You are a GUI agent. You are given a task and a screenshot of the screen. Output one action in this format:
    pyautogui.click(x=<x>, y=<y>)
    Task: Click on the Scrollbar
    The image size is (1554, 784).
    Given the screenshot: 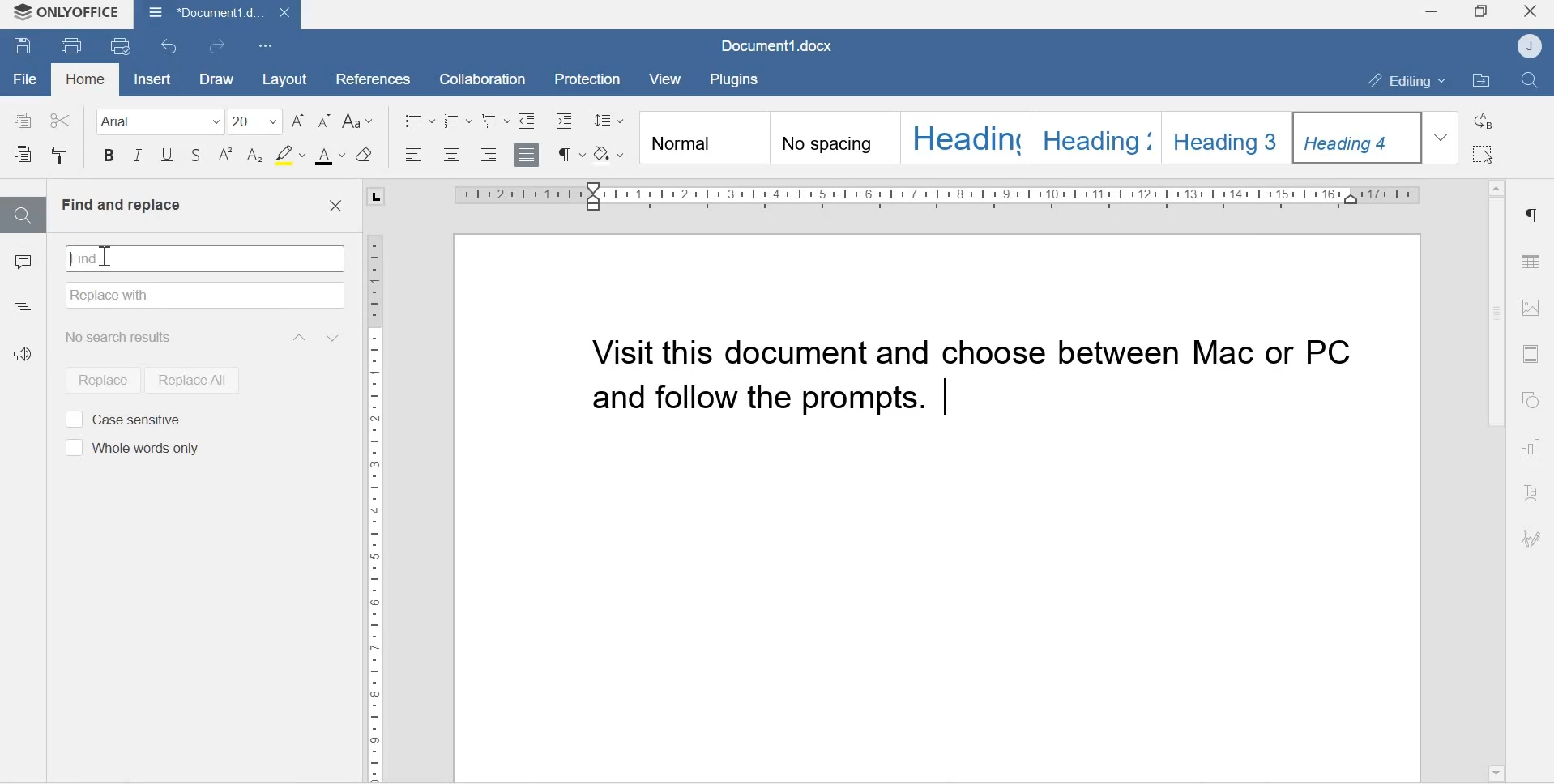 What is the action you would take?
    pyautogui.click(x=1494, y=314)
    